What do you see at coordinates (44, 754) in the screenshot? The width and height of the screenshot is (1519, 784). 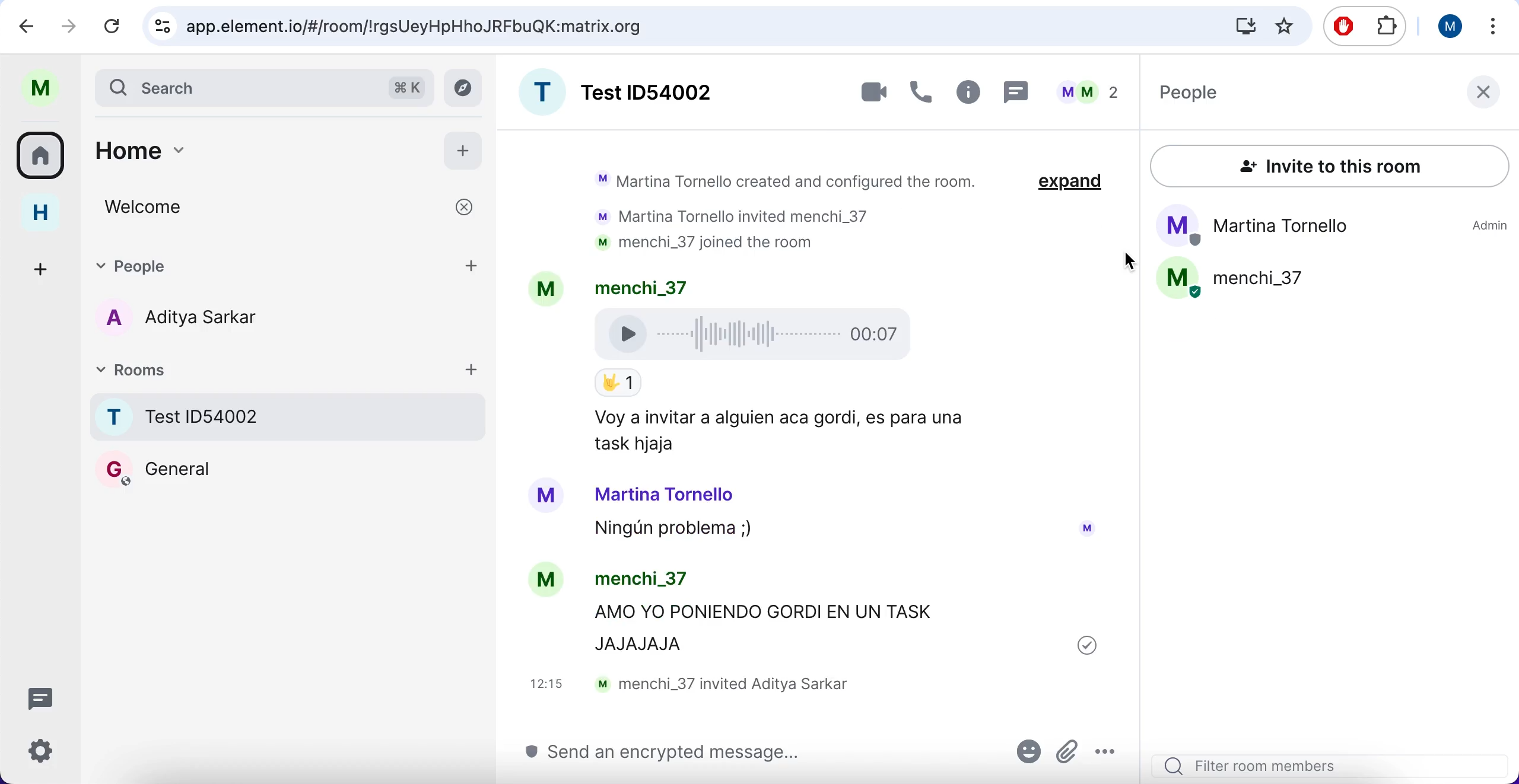 I see `configuration` at bounding box center [44, 754].